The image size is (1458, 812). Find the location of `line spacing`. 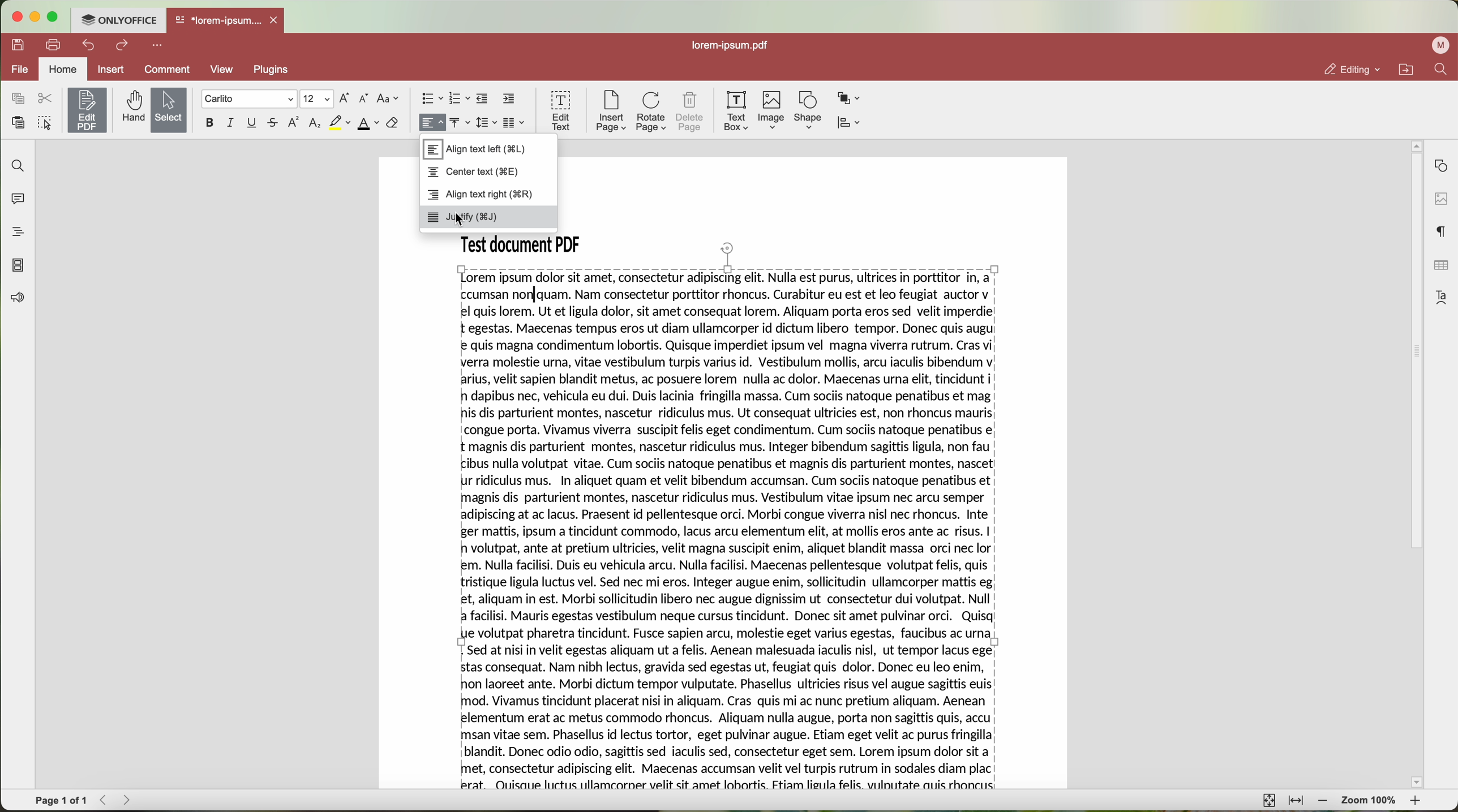

line spacing is located at coordinates (486, 123).